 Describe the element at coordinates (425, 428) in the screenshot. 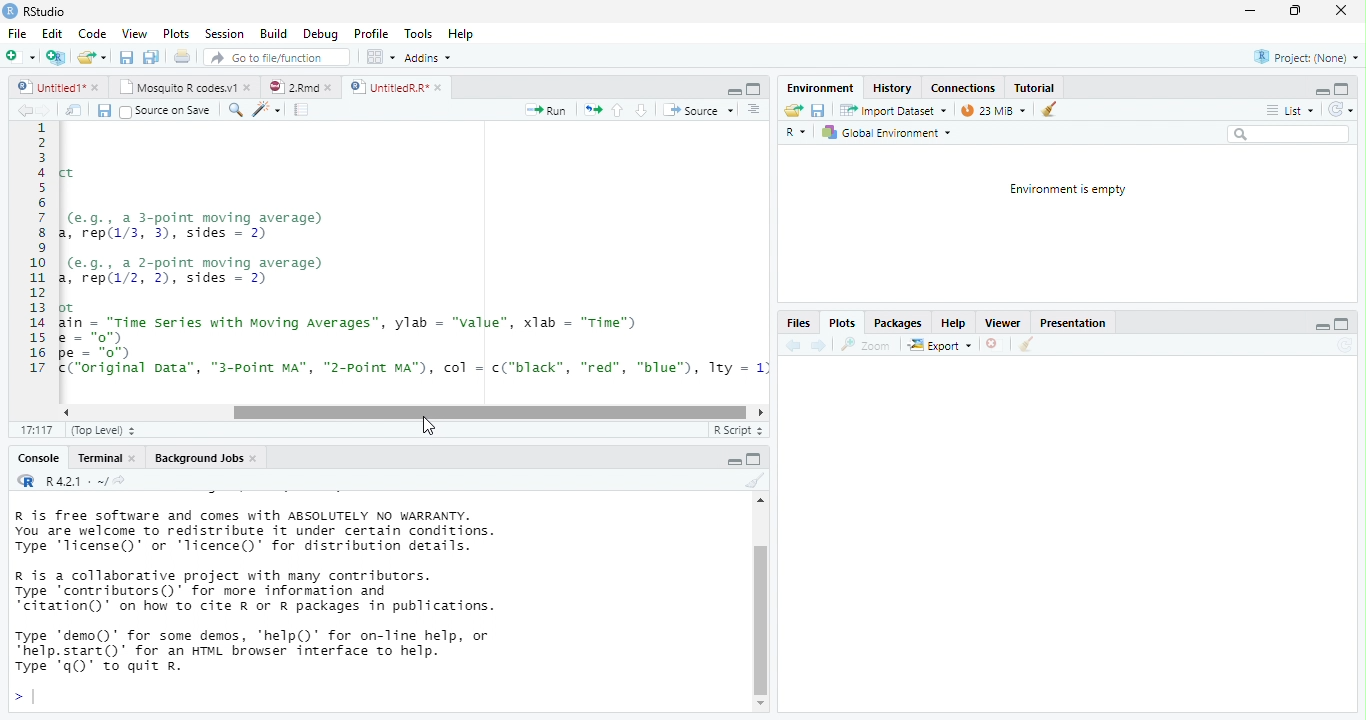

I see `cursor` at that location.